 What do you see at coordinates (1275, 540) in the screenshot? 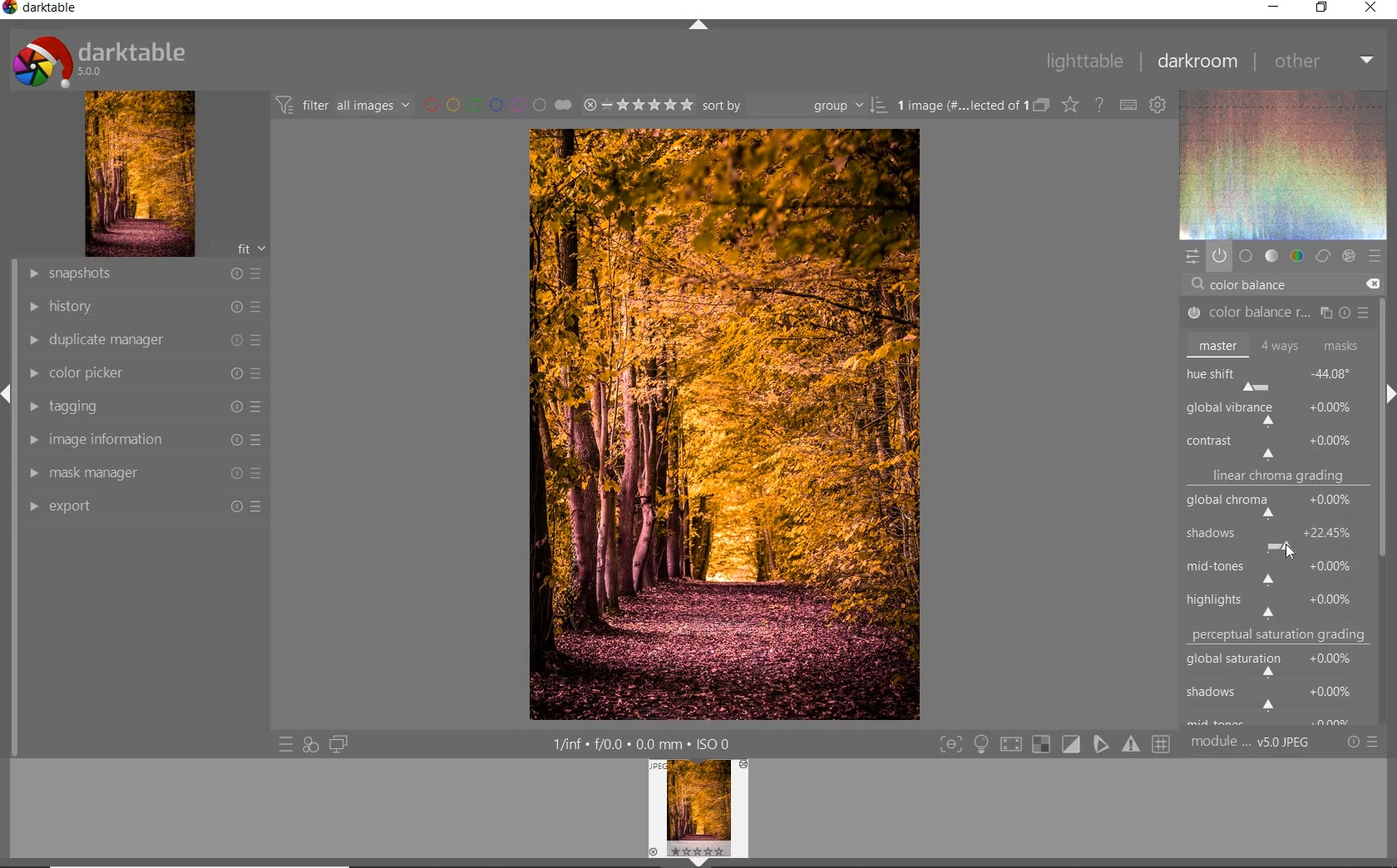
I see `shadows` at bounding box center [1275, 540].